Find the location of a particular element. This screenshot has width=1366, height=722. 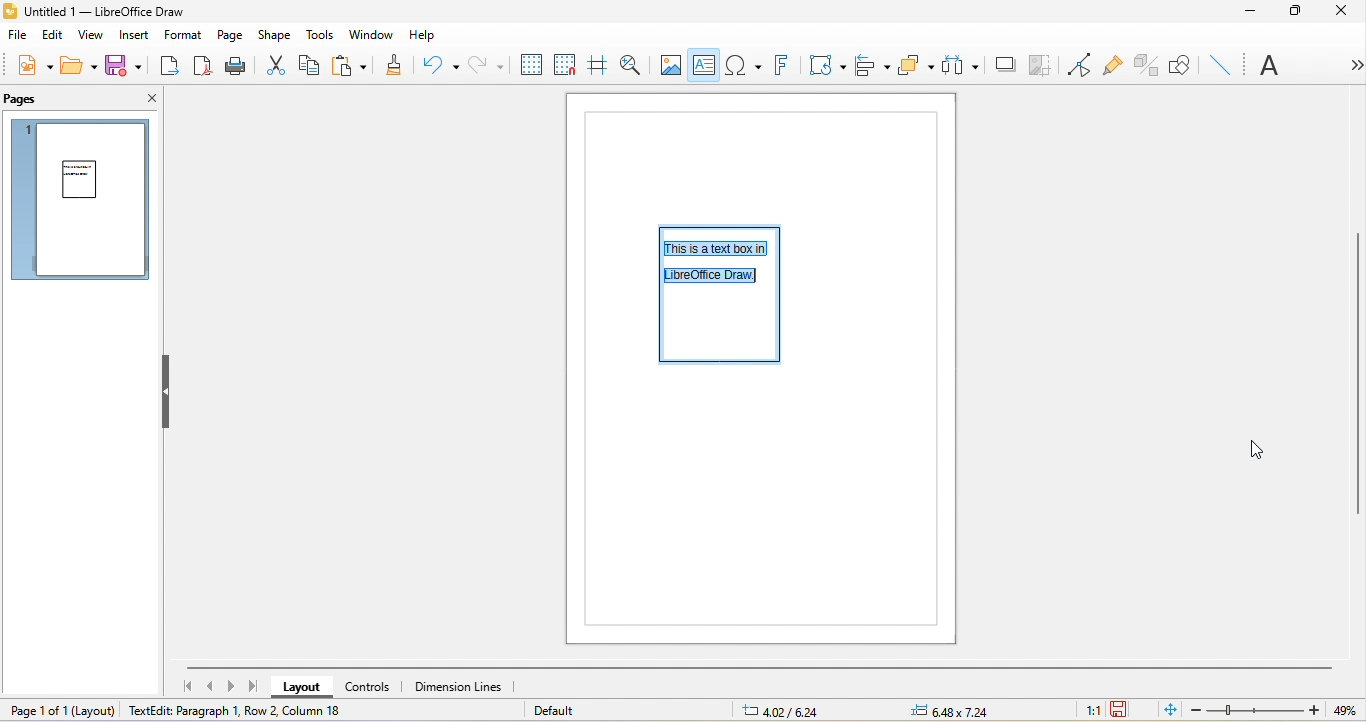

clone formatting is located at coordinates (400, 65).